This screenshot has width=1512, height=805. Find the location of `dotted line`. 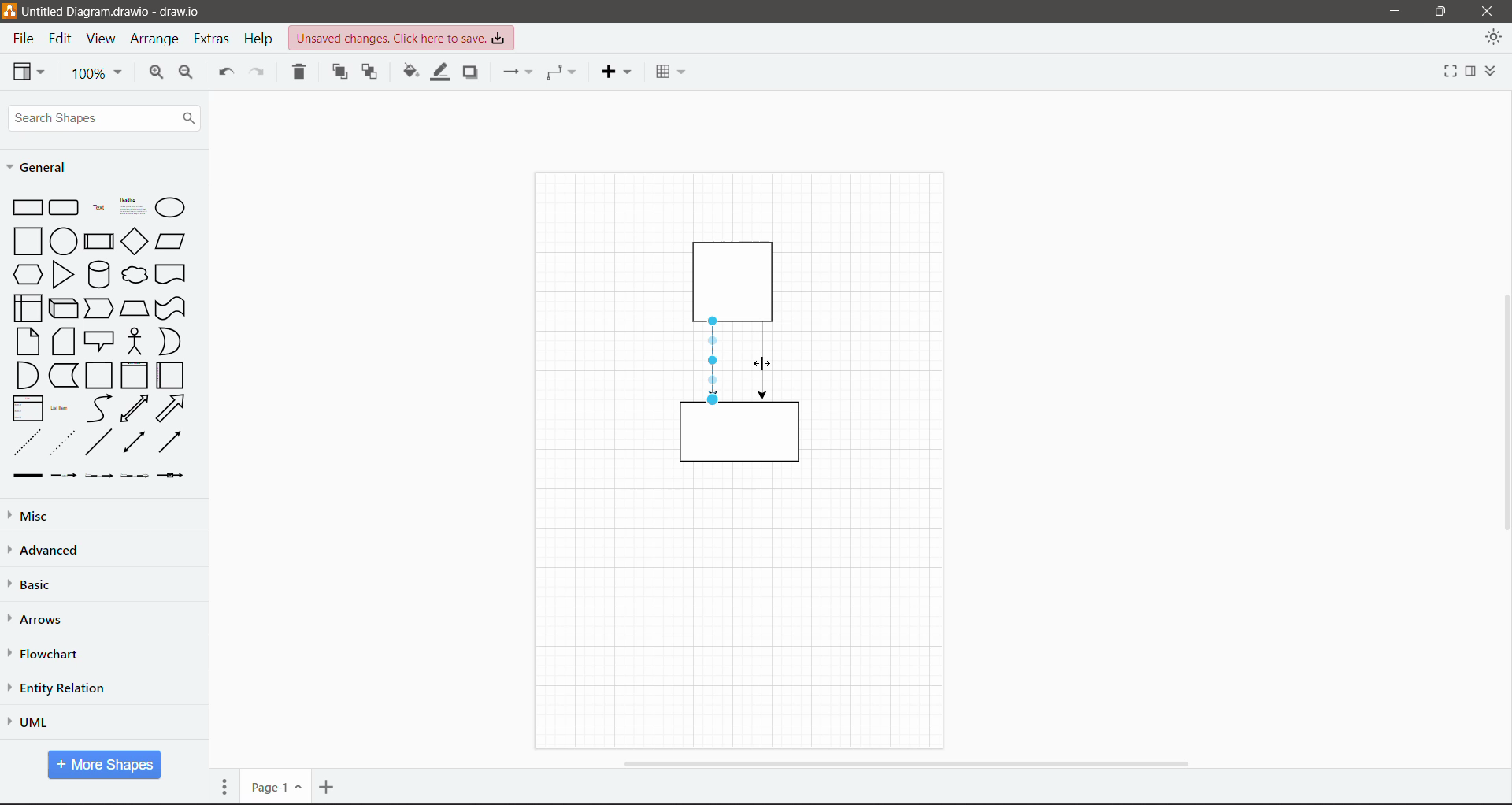

dotted line is located at coordinates (62, 442).